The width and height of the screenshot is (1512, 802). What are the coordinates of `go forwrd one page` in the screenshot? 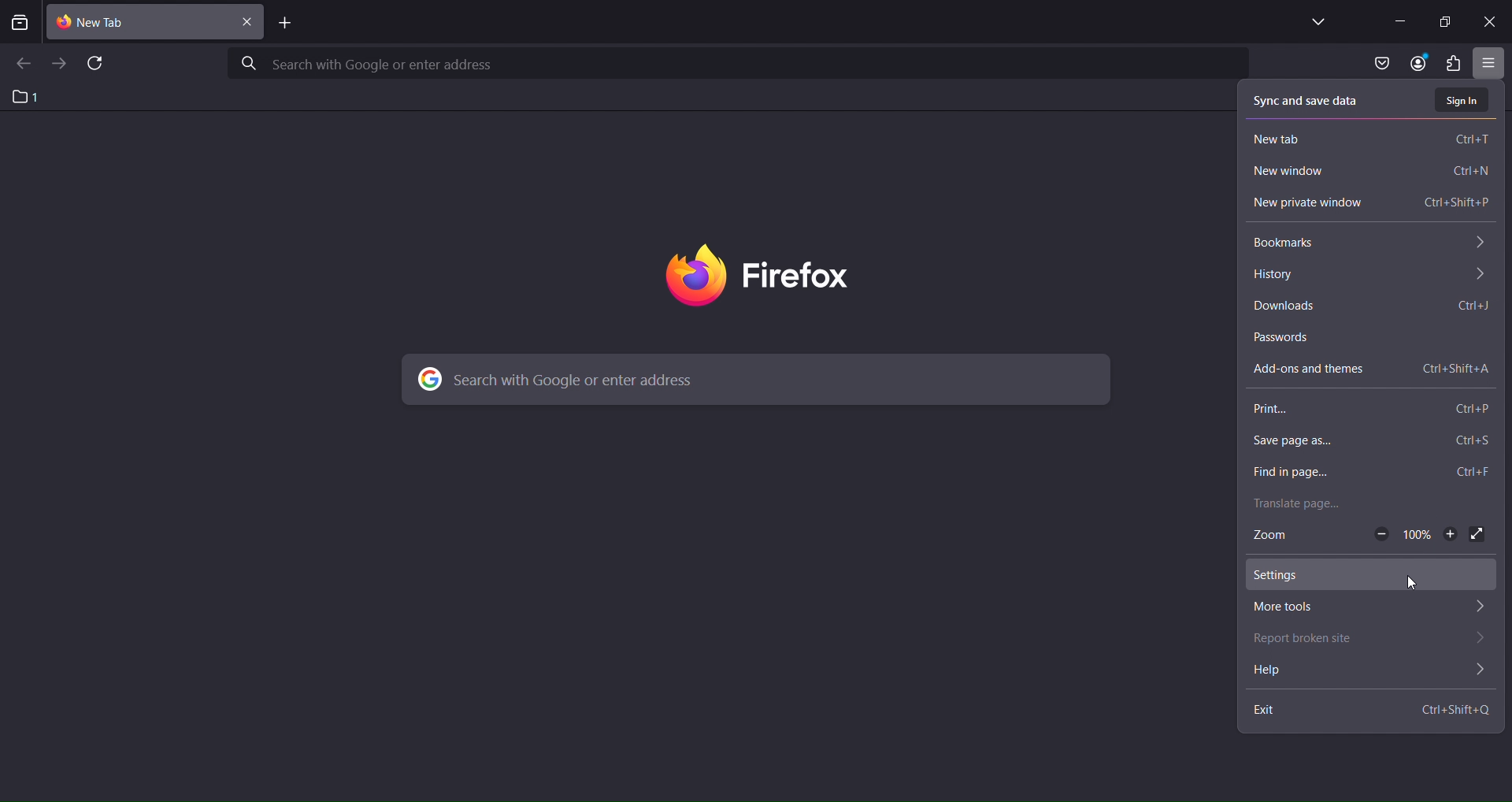 It's located at (58, 62).